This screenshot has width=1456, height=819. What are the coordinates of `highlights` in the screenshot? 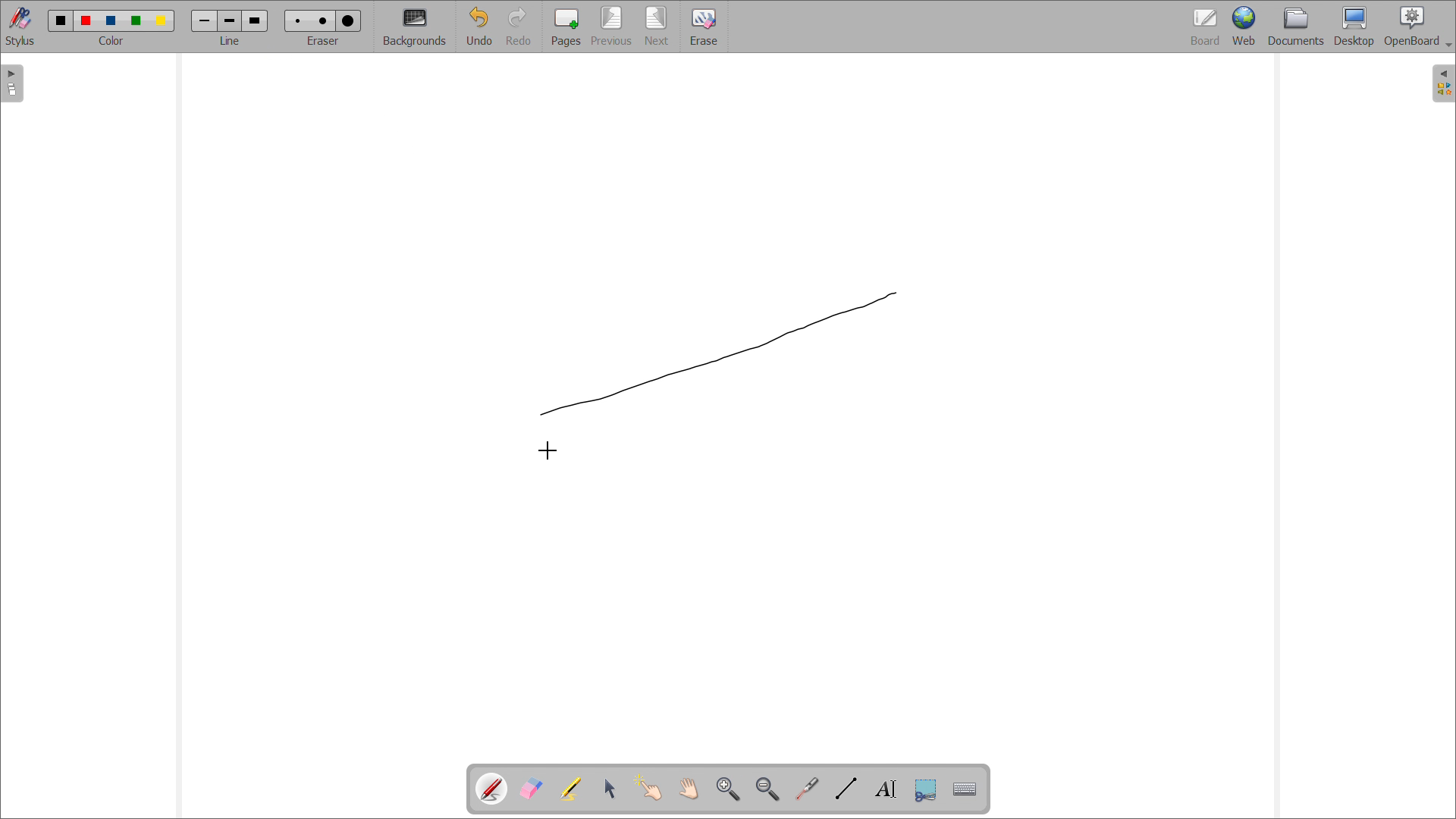 It's located at (571, 789).